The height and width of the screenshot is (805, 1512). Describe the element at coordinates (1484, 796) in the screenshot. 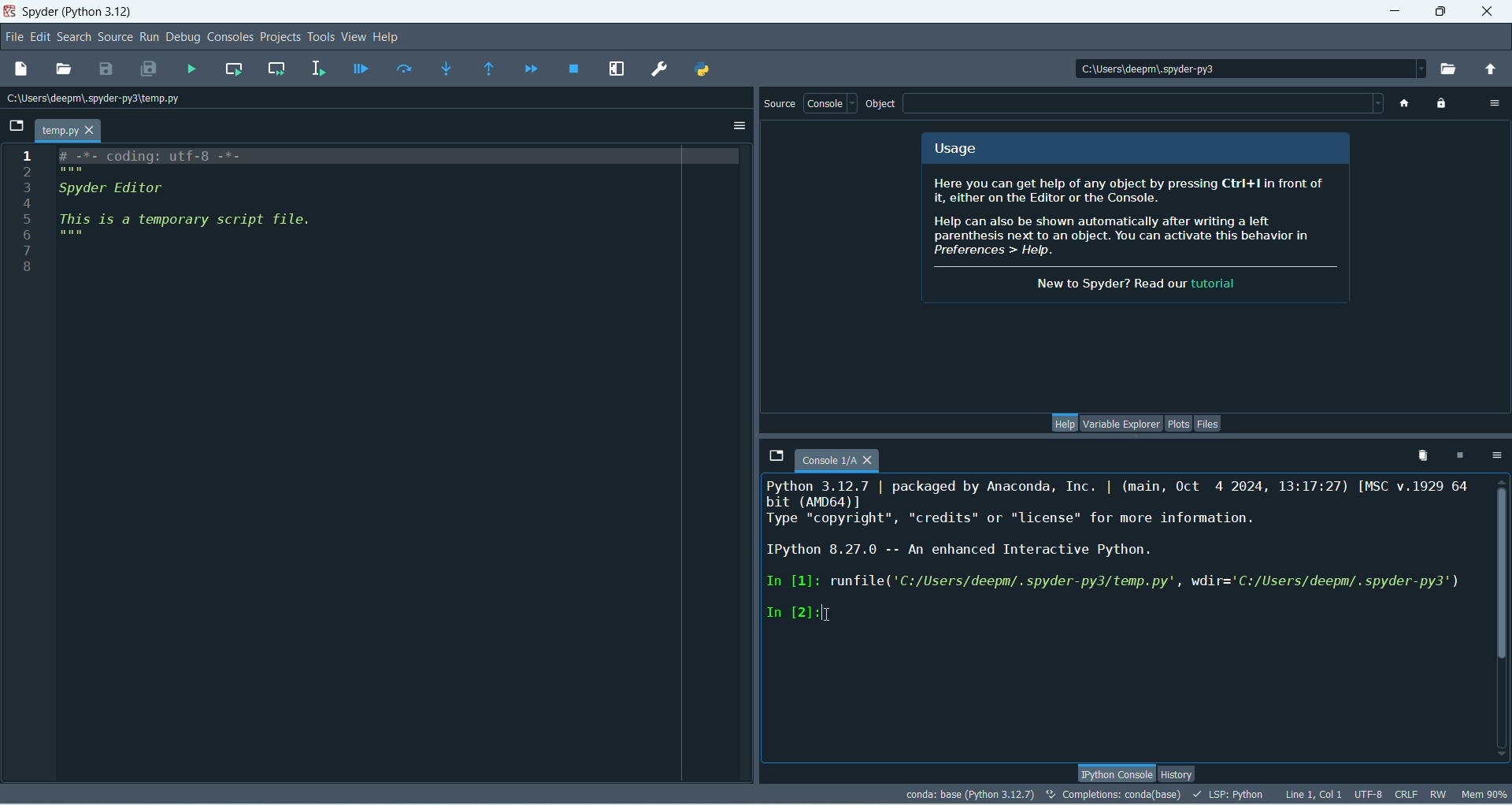

I see `Mem` at that location.